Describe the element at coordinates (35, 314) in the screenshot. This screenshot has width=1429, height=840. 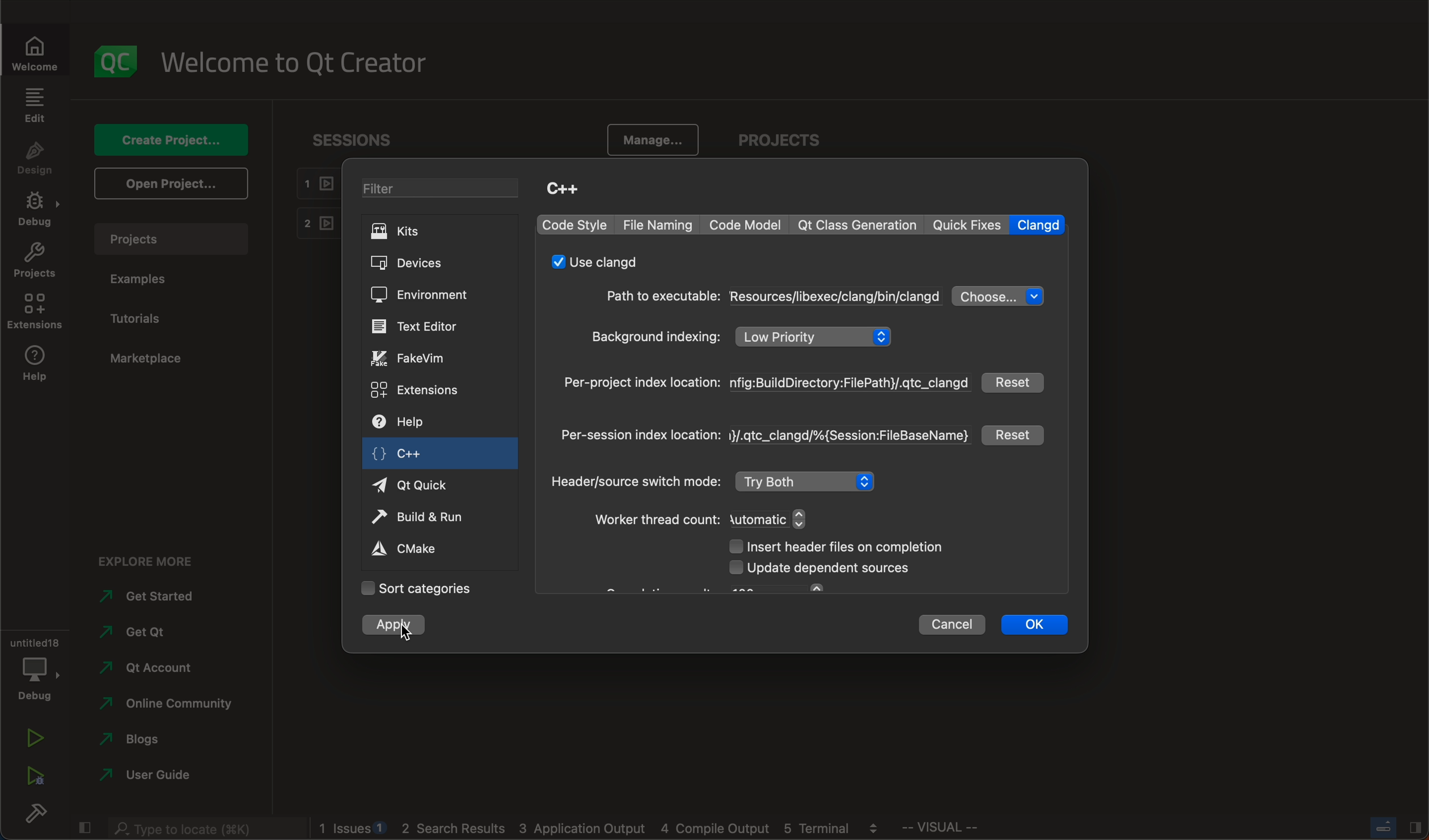
I see `extensions` at that location.